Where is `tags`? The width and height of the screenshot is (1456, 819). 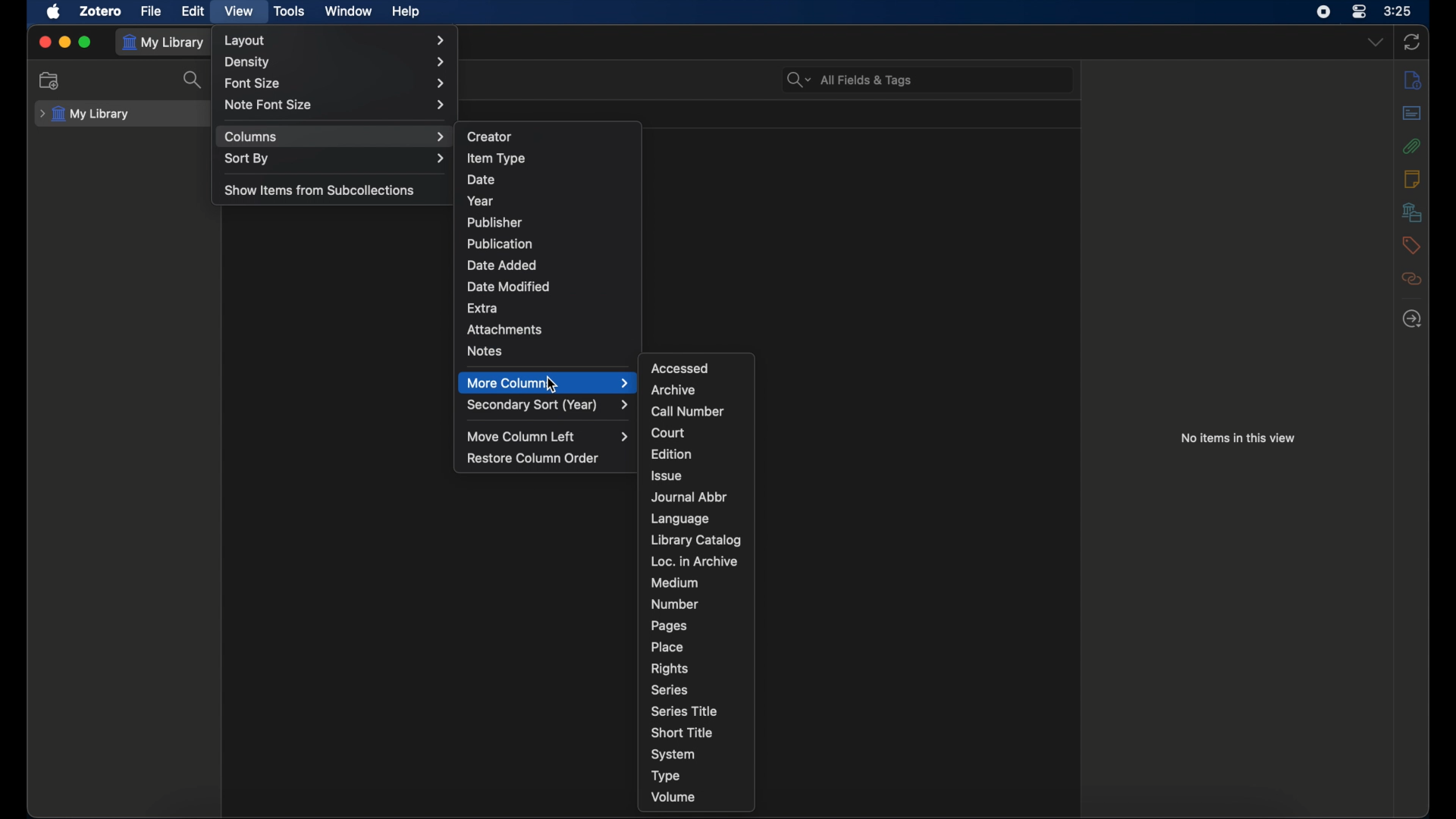 tags is located at coordinates (1411, 245).